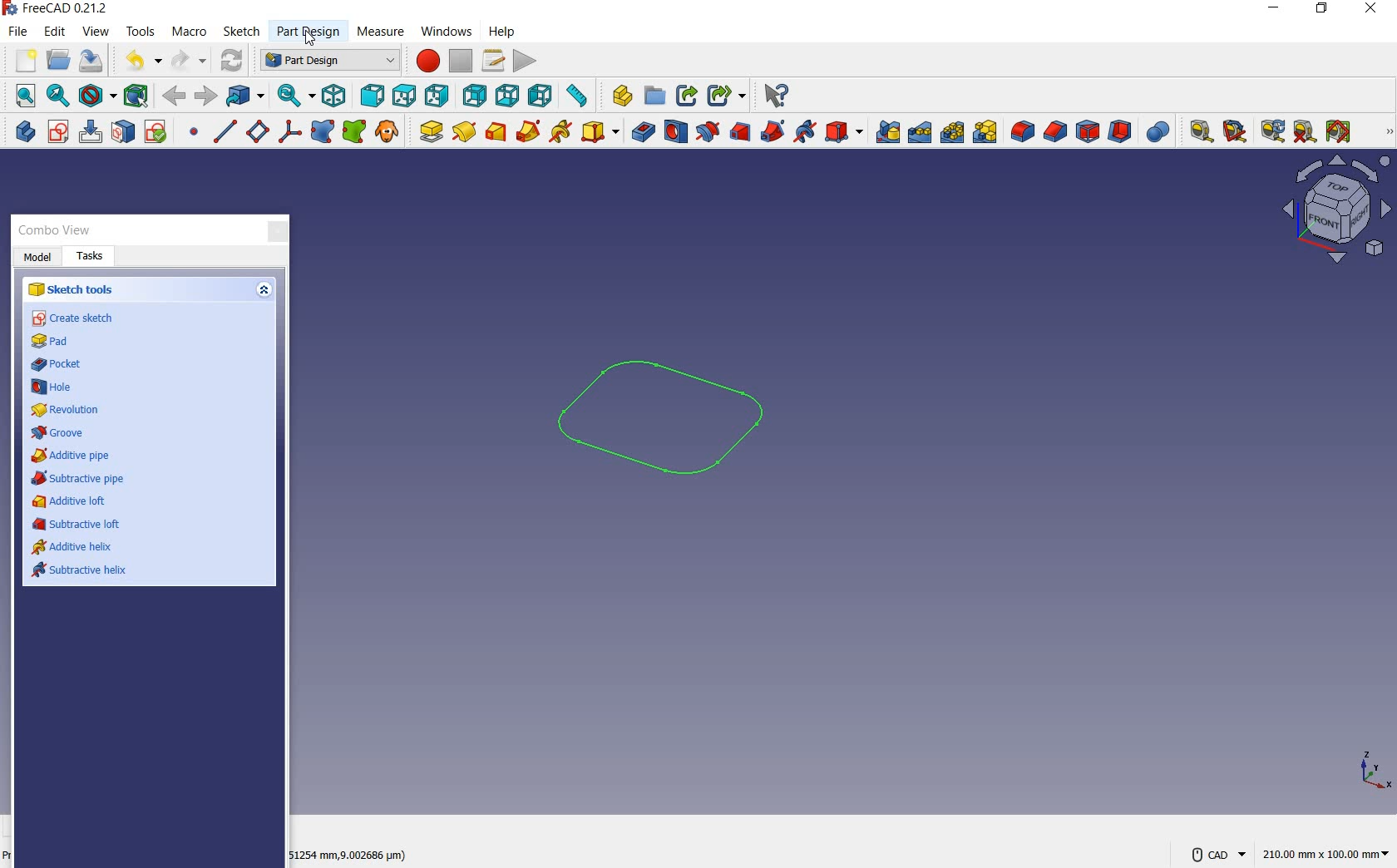  What do you see at coordinates (190, 60) in the screenshot?
I see `redo` at bounding box center [190, 60].